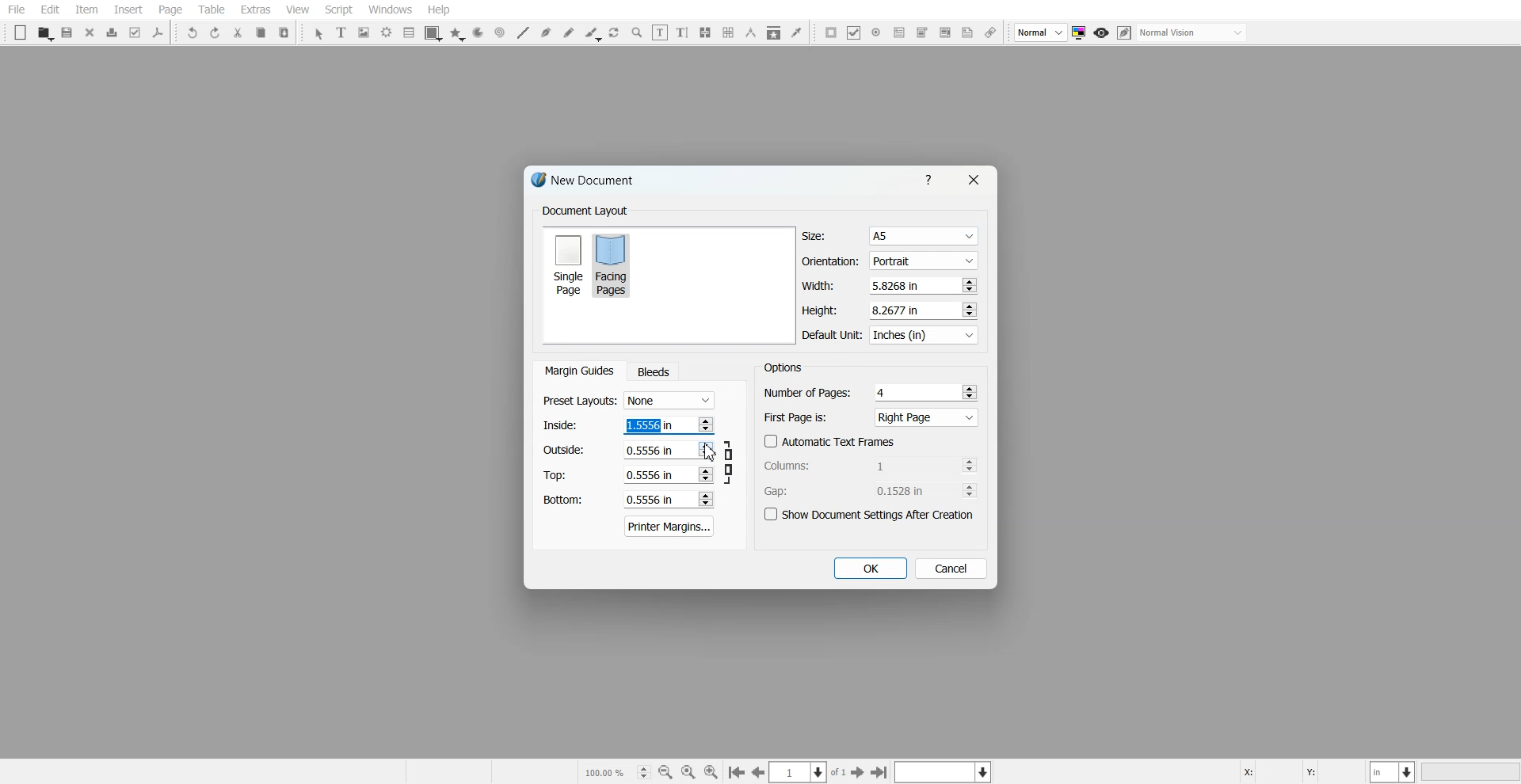 The image size is (1521, 784). Describe the element at coordinates (1081, 33) in the screenshot. I see `Toggle color ` at that location.